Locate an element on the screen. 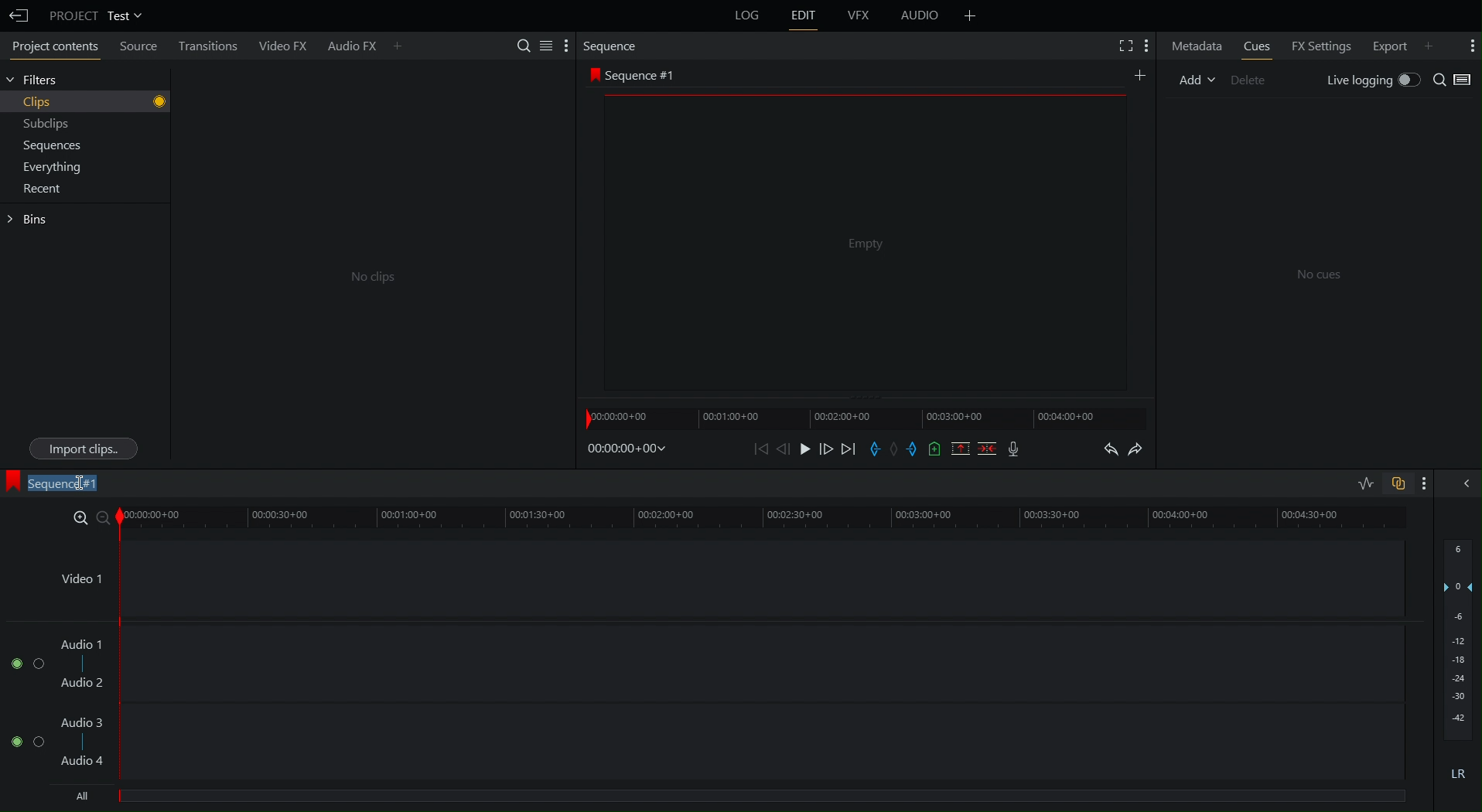 This screenshot has height=812, width=1482. Place Entry Marker is located at coordinates (876, 449).